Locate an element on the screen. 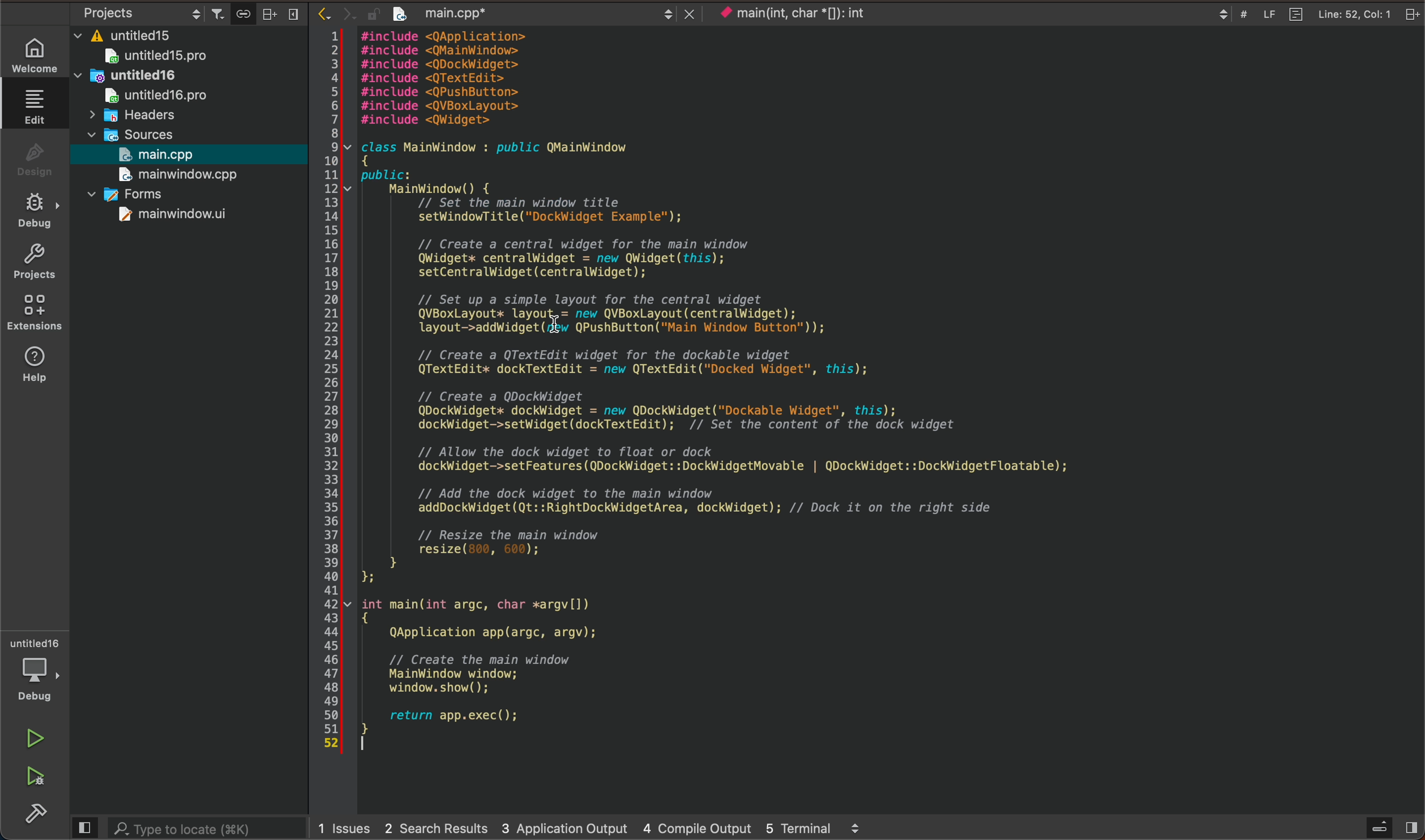 This screenshot has width=1425, height=840. untitled16 is located at coordinates (130, 75).